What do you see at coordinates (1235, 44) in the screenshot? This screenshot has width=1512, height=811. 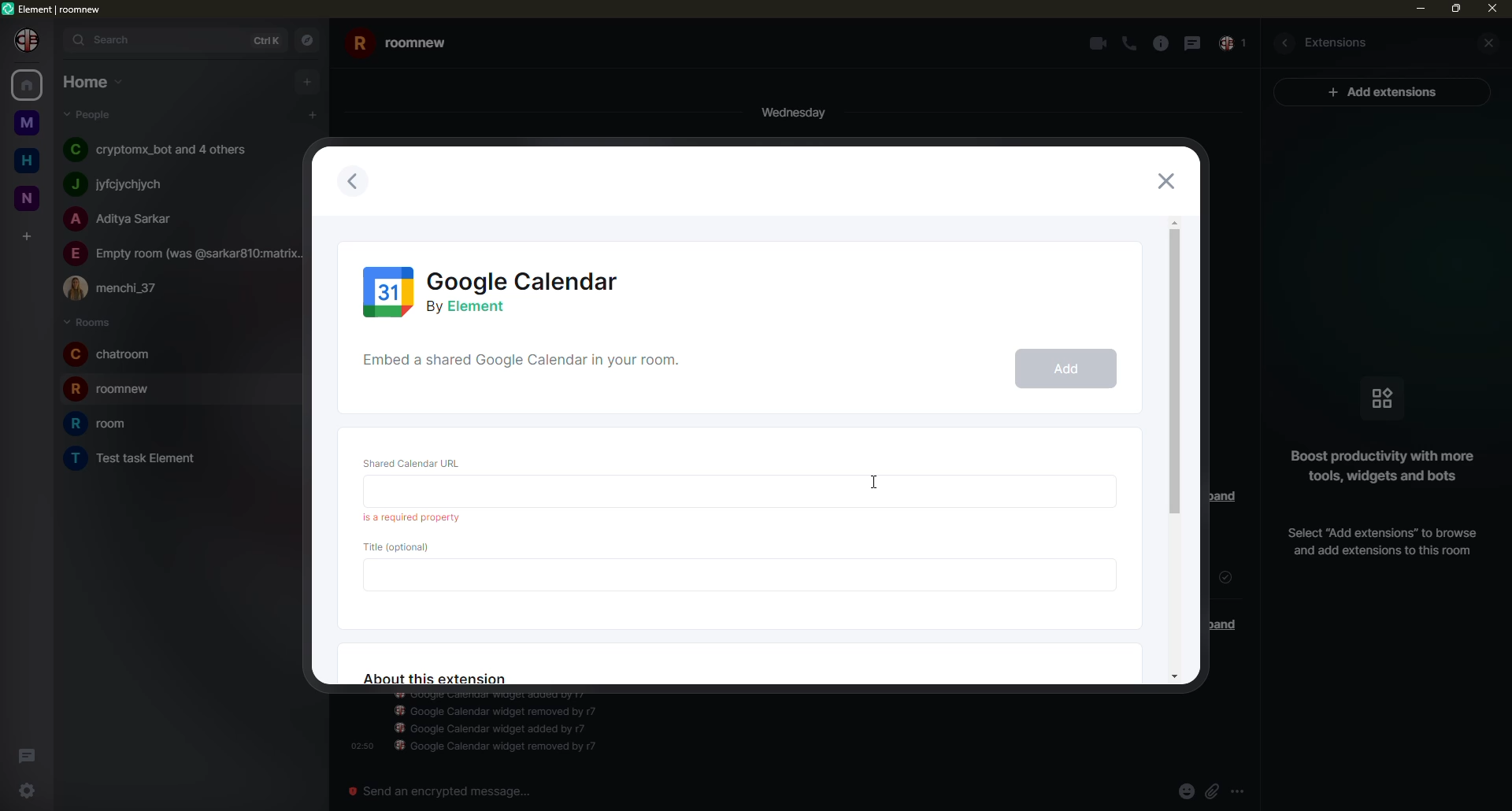 I see `inbox` at bounding box center [1235, 44].